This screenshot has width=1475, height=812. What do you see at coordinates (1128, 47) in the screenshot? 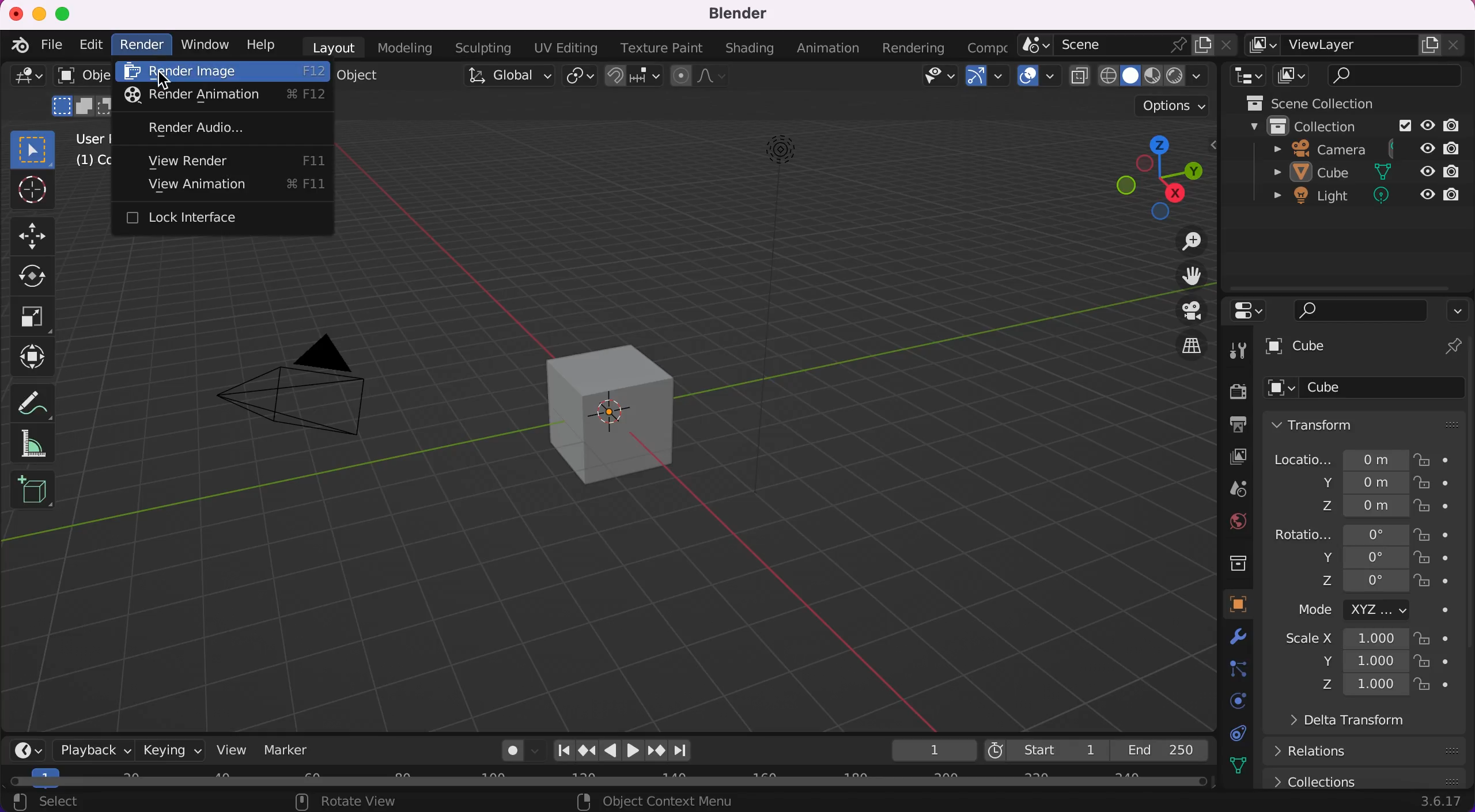
I see `scene` at bounding box center [1128, 47].